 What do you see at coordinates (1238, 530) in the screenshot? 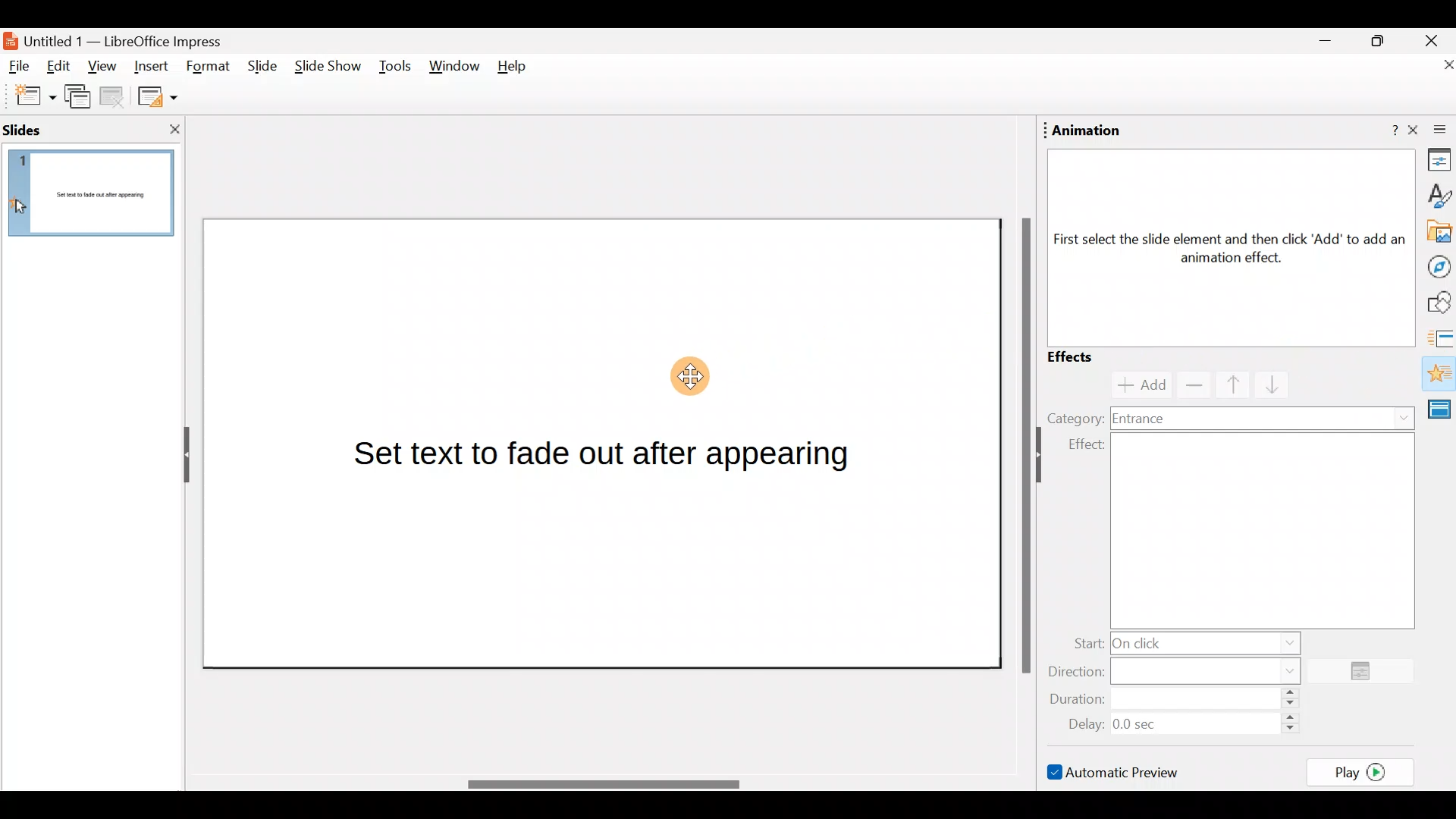
I see `Effect` at bounding box center [1238, 530].